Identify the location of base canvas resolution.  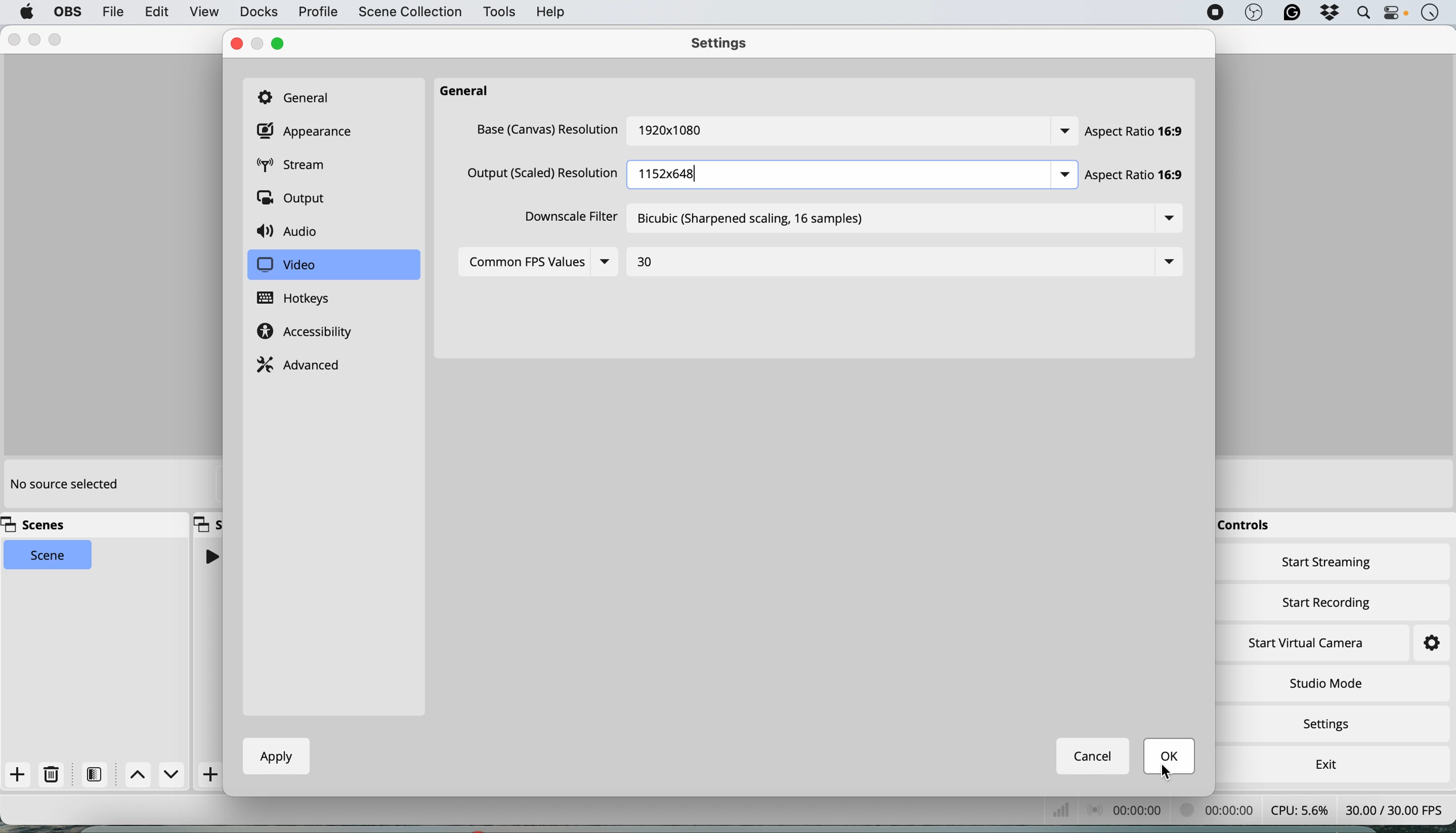
(548, 130).